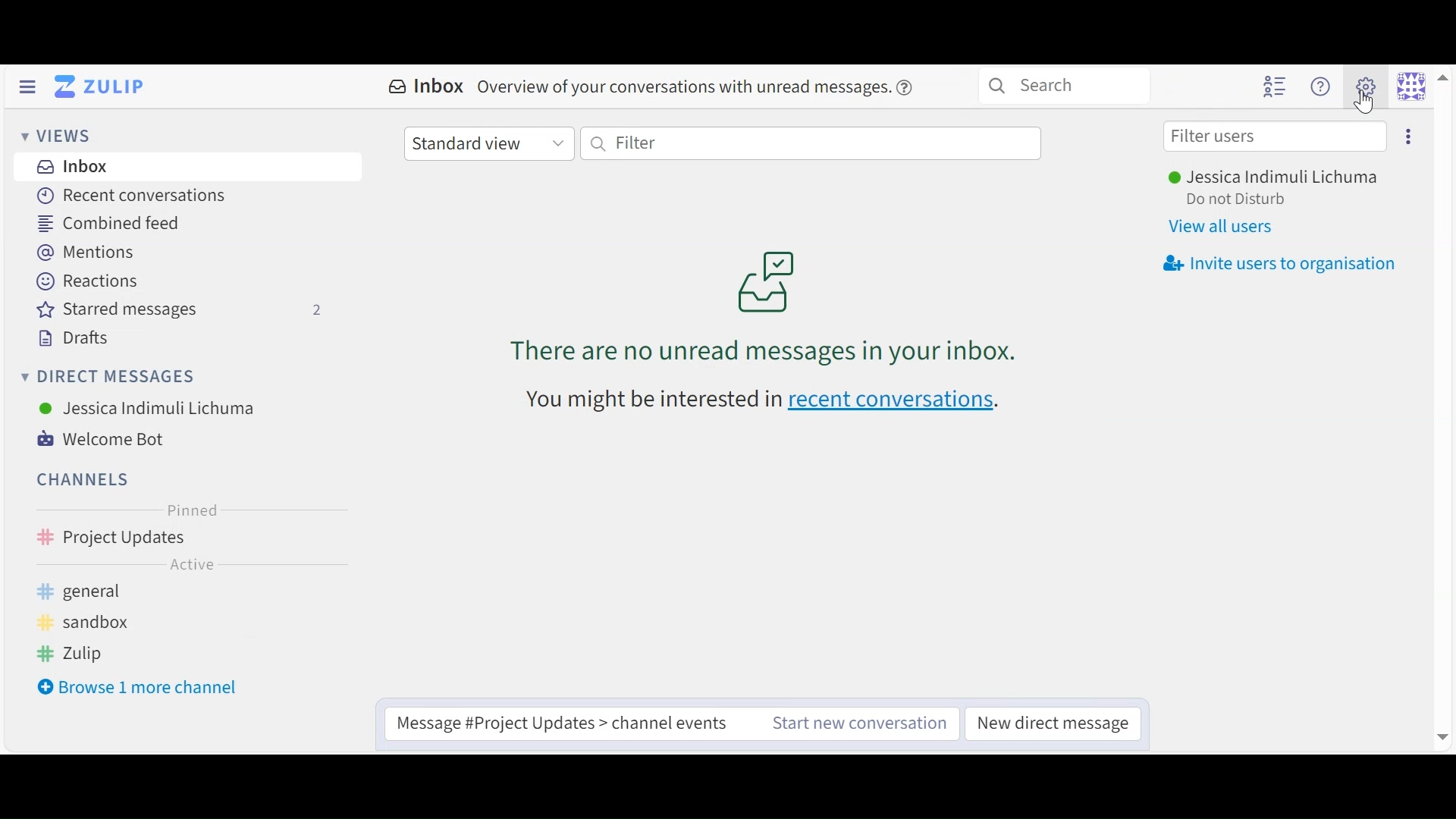 The width and height of the screenshot is (1456, 819). What do you see at coordinates (81, 481) in the screenshot?
I see `Channels` at bounding box center [81, 481].